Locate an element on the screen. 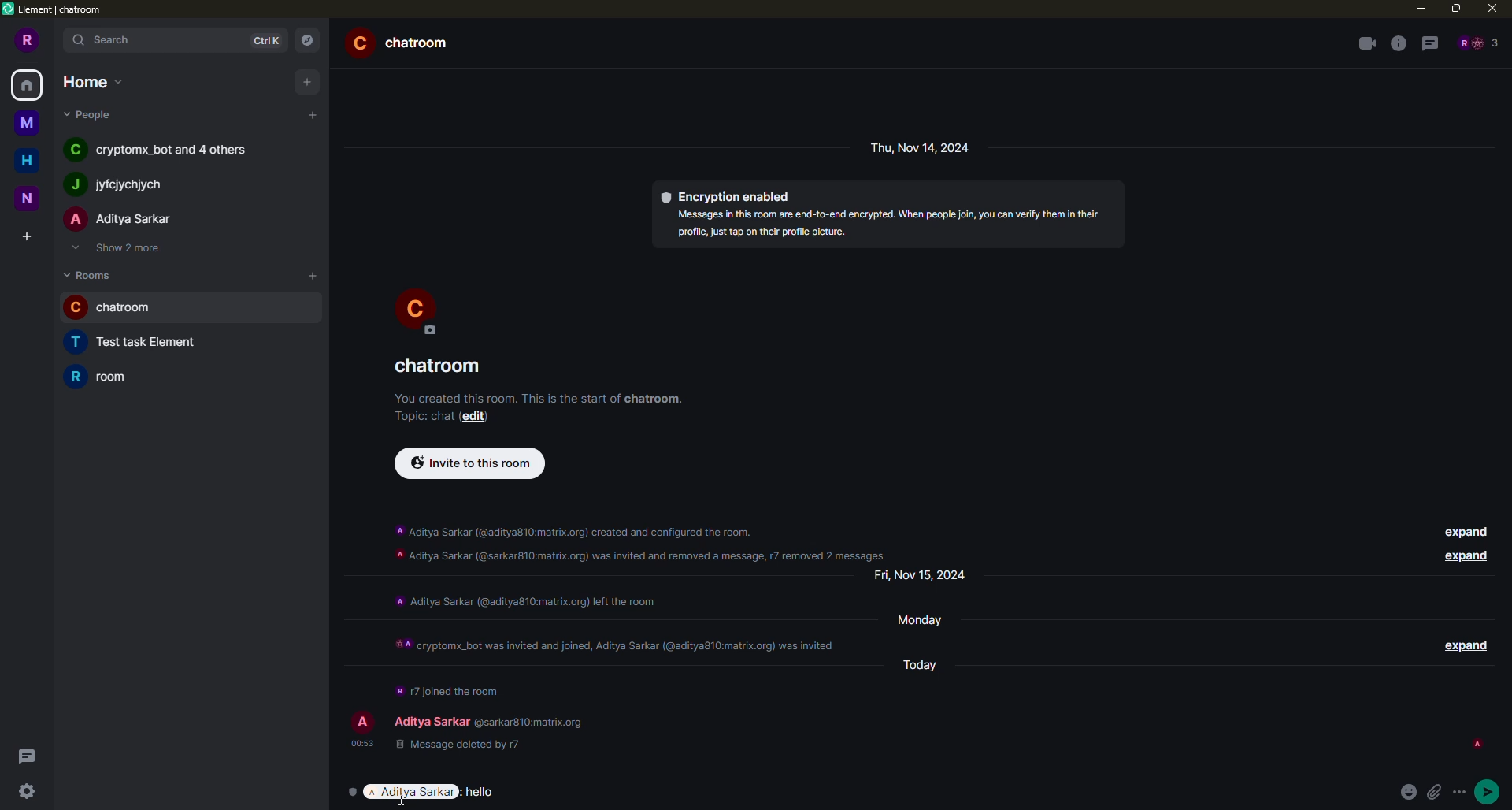 The height and width of the screenshot is (810, 1512). room is located at coordinates (143, 343).